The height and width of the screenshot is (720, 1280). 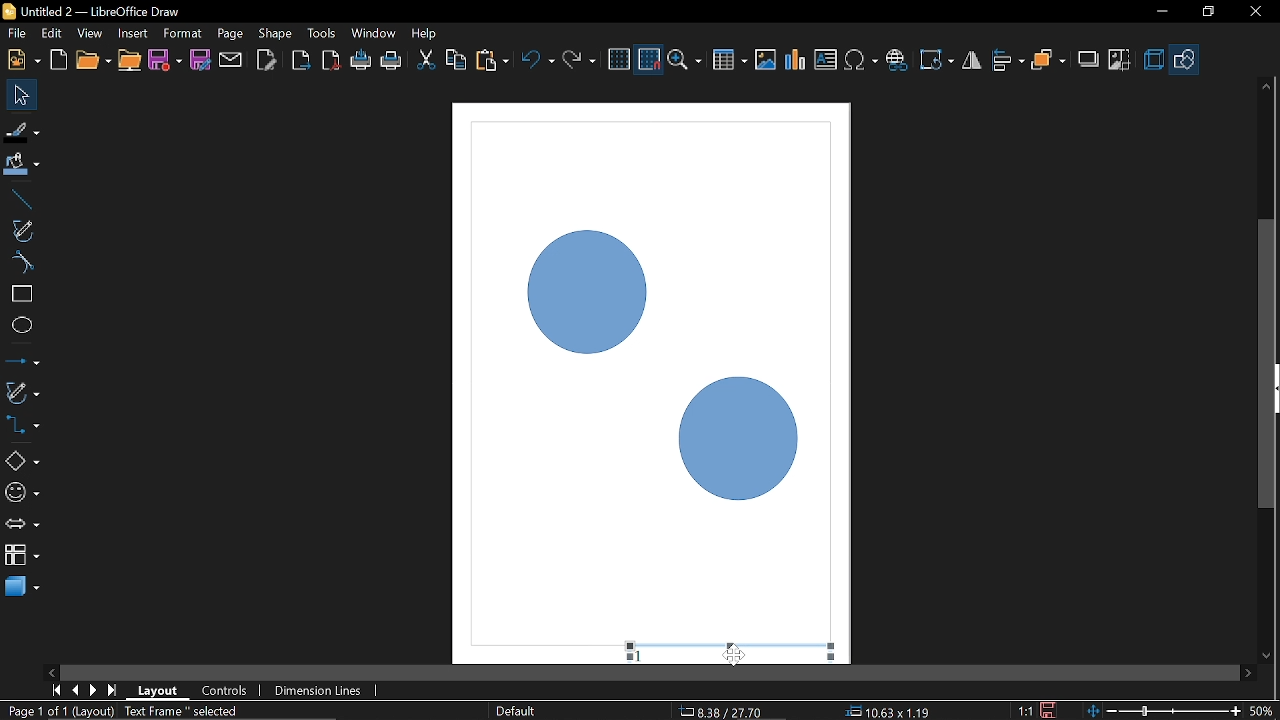 What do you see at coordinates (1262, 710) in the screenshot?
I see `Current zoom` at bounding box center [1262, 710].